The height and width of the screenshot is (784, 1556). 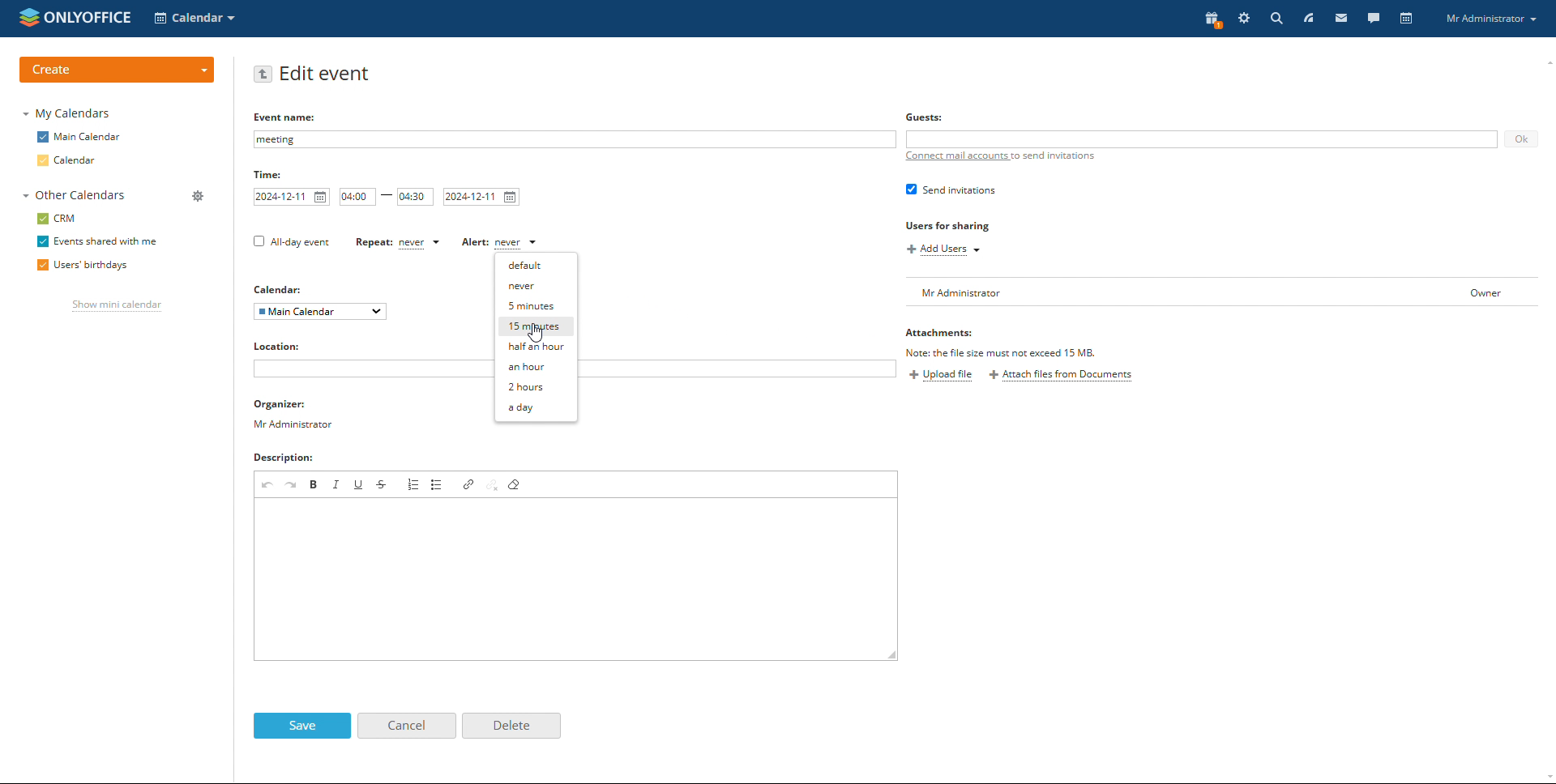 What do you see at coordinates (537, 407) in the screenshot?
I see `a day` at bounding box center [537, 407].